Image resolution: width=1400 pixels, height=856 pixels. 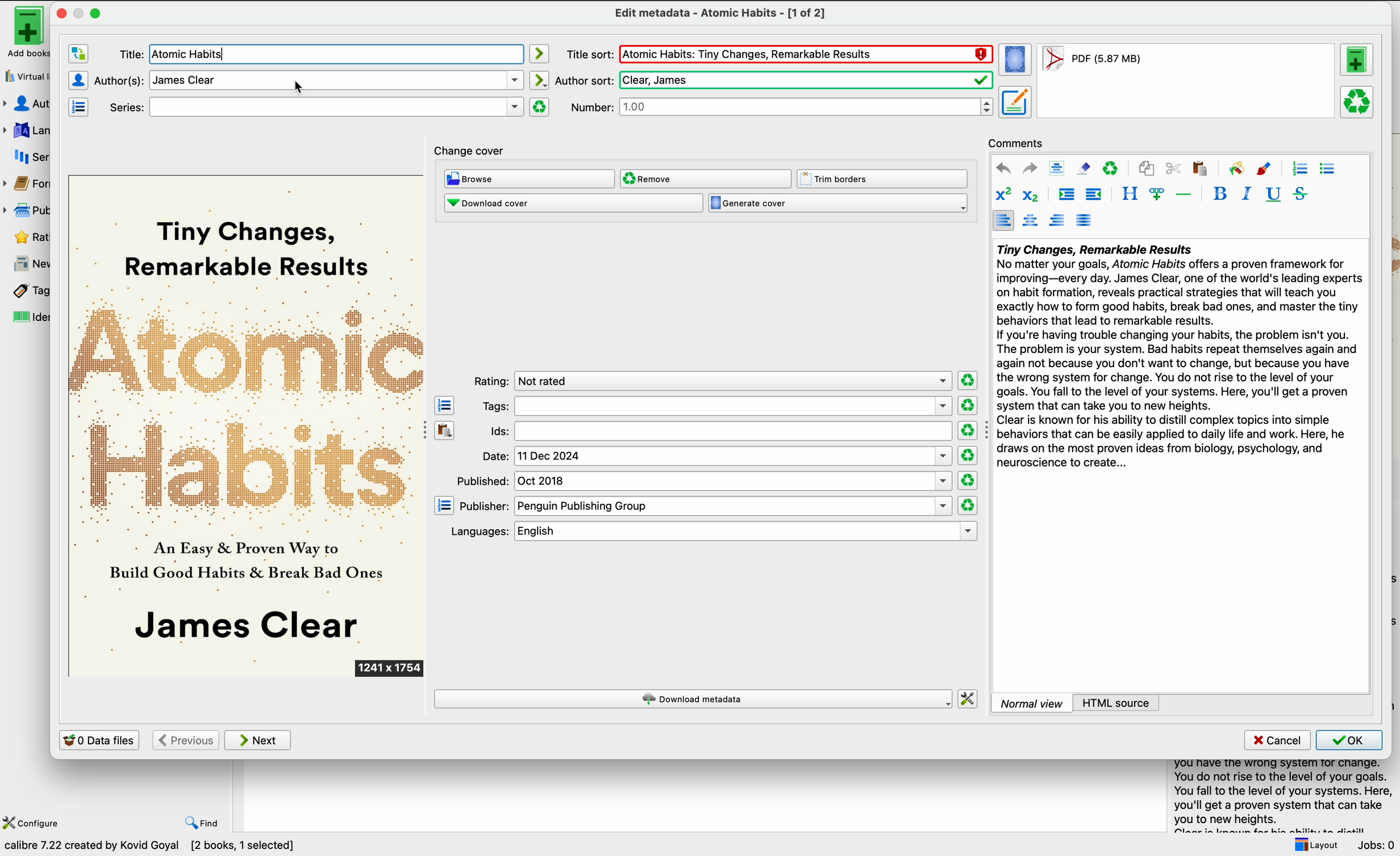 I want to click on align justified, so click(x=1085, y=220).